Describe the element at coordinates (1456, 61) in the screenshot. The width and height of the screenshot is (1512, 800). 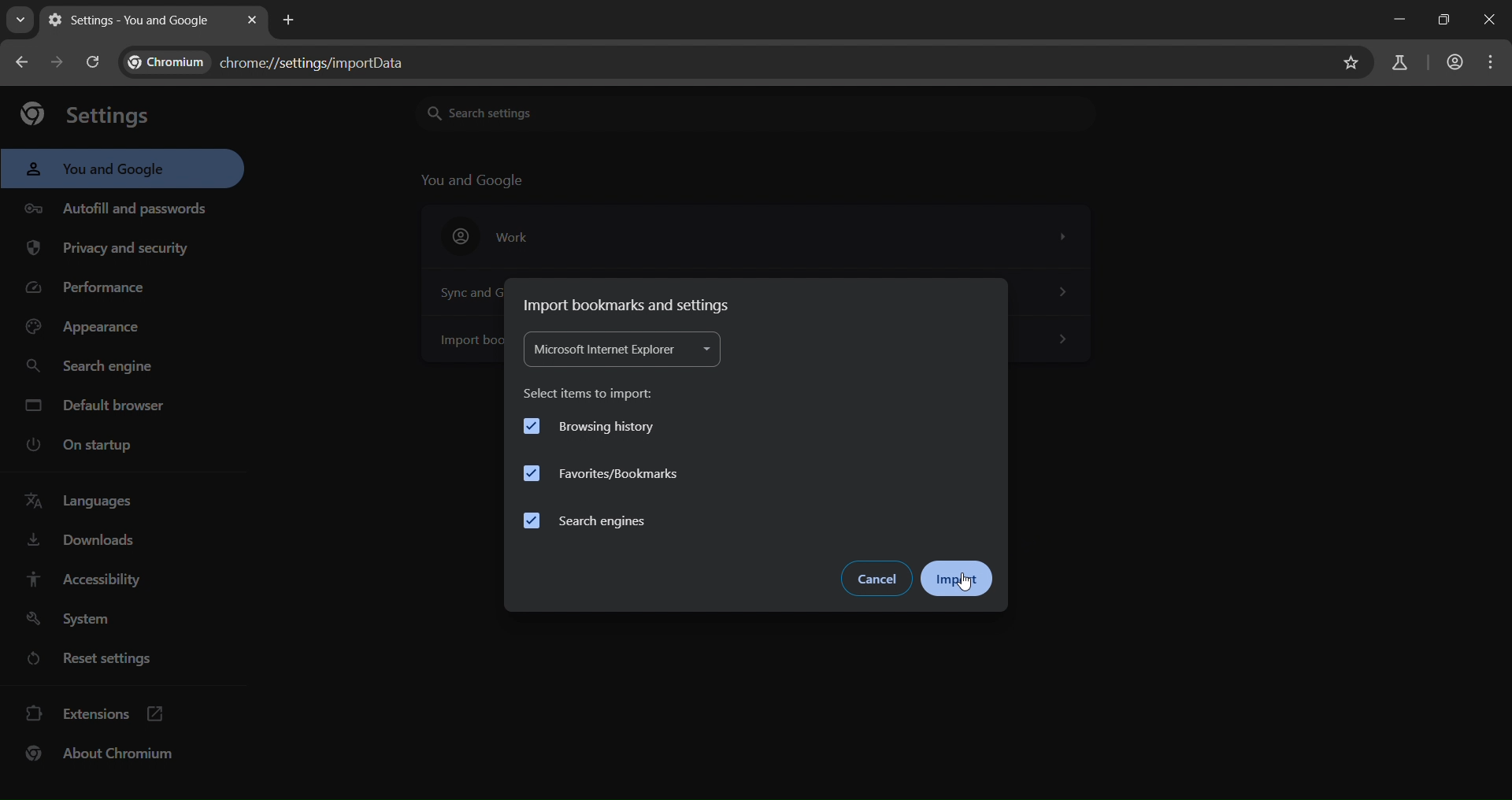
I see `account` at that location.